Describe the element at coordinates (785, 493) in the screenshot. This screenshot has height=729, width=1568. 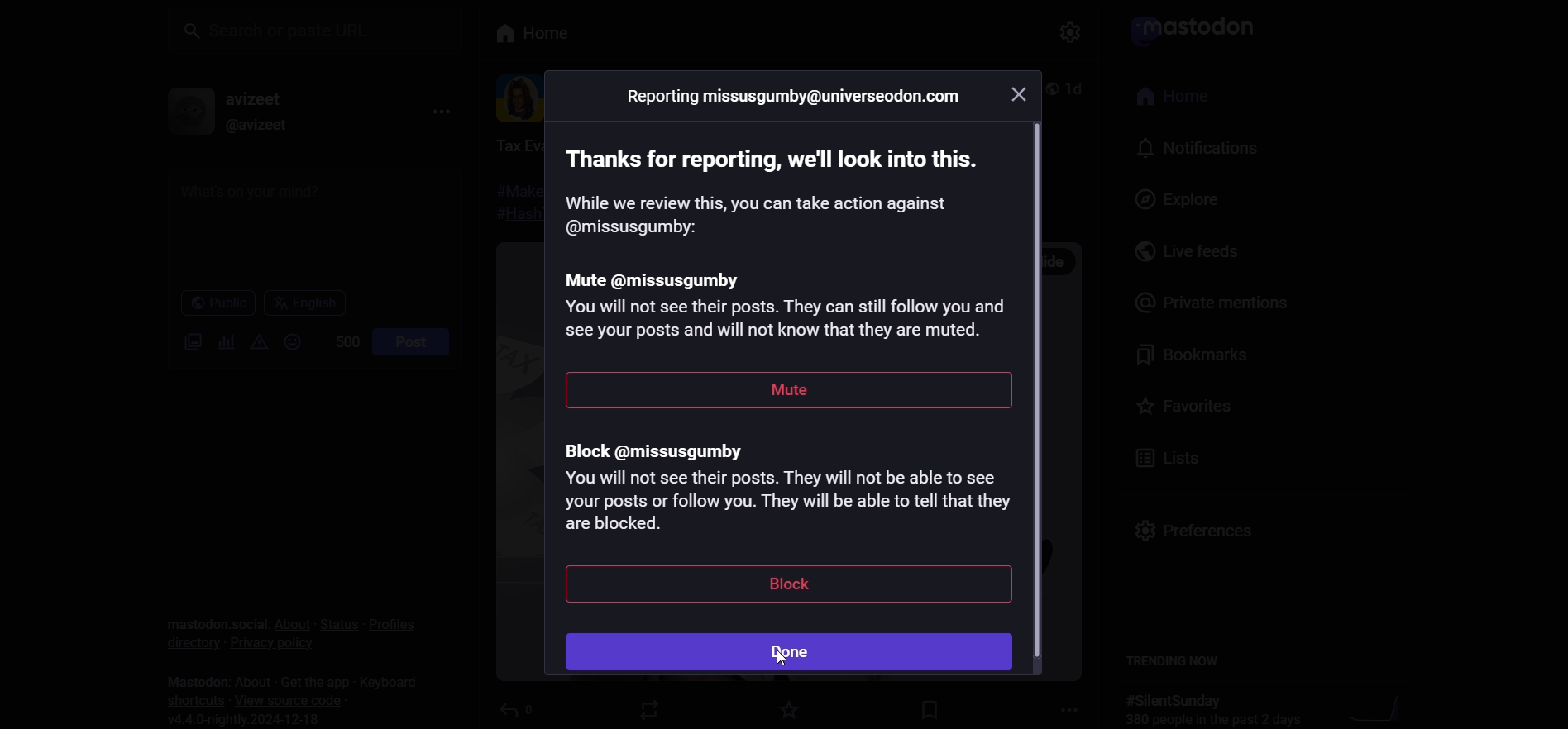
I see `block instruction` at that location.